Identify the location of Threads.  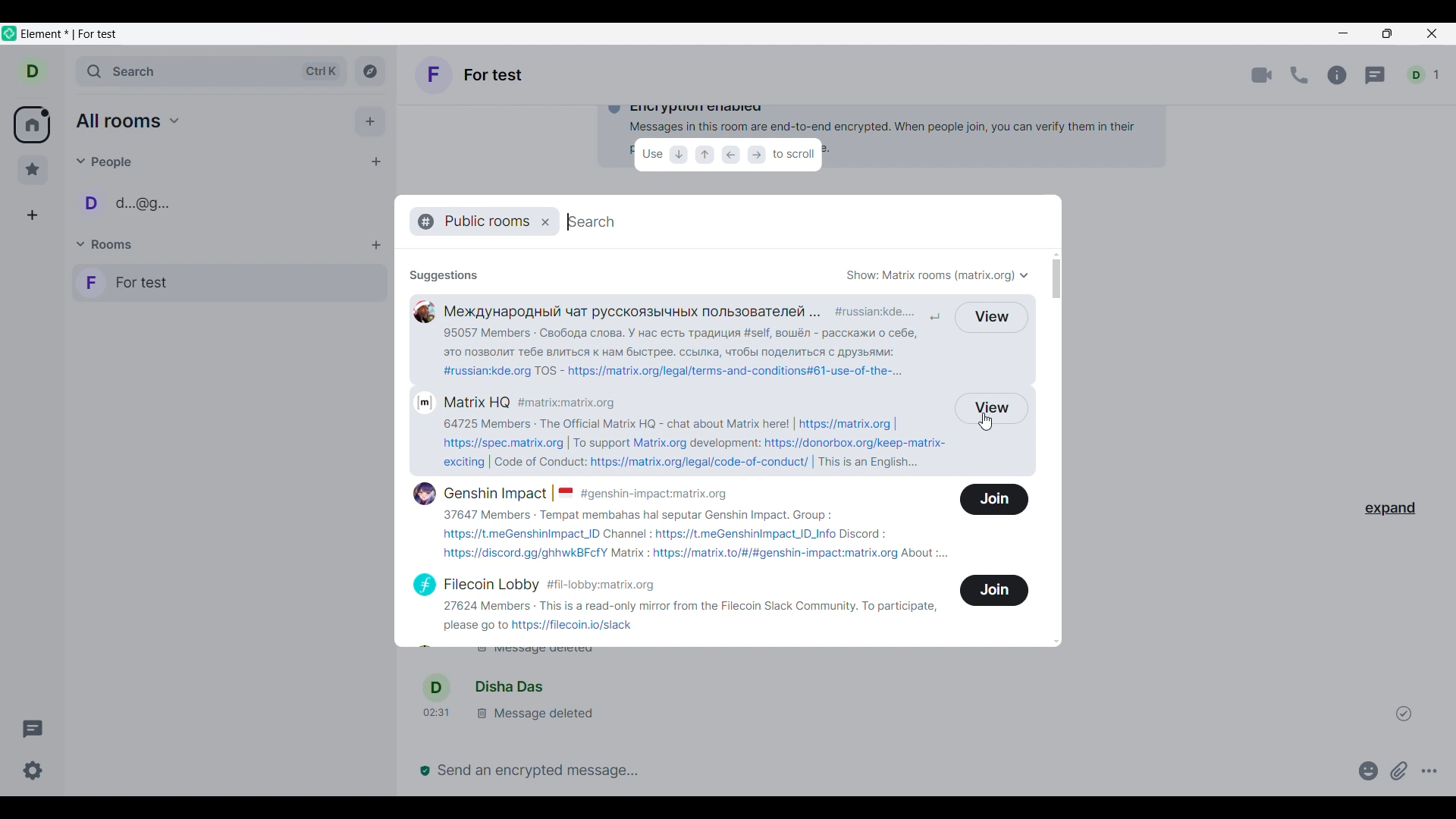
(1375, 76).